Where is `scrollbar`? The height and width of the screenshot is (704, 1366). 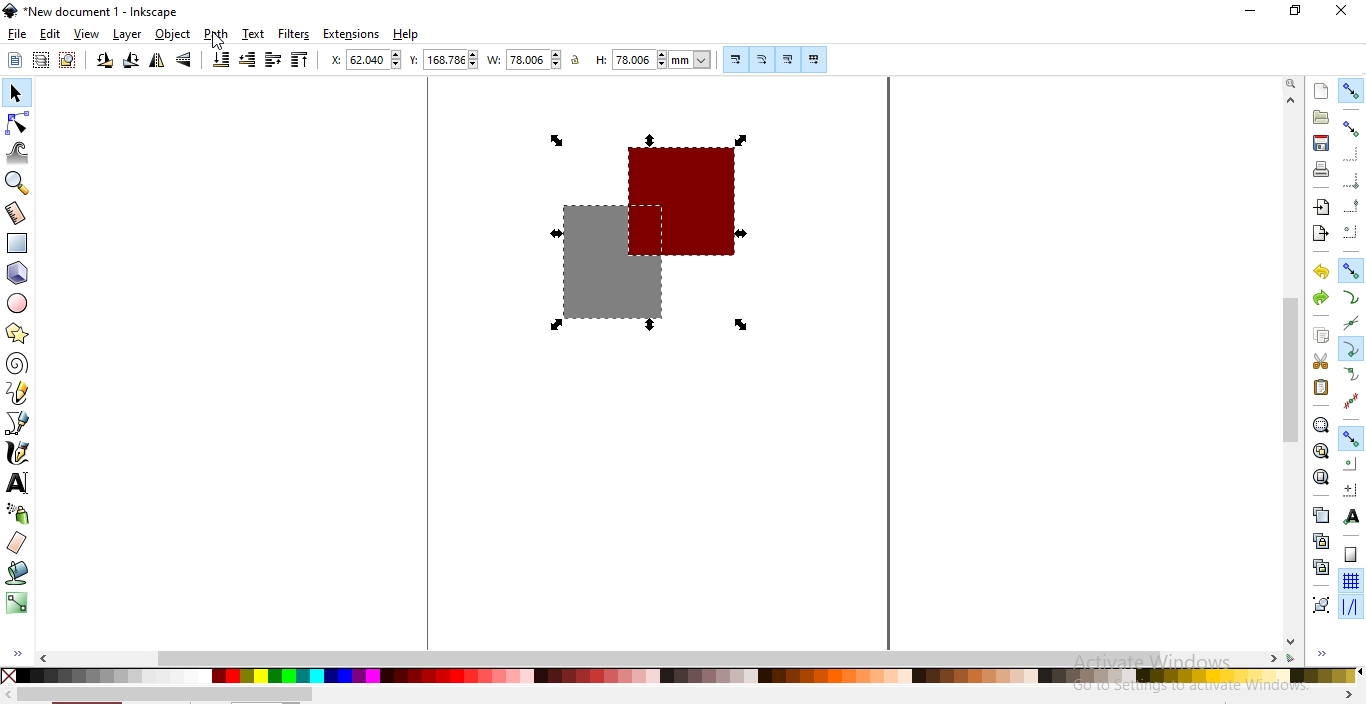
scrollbar is located at coordinates (165, 695).